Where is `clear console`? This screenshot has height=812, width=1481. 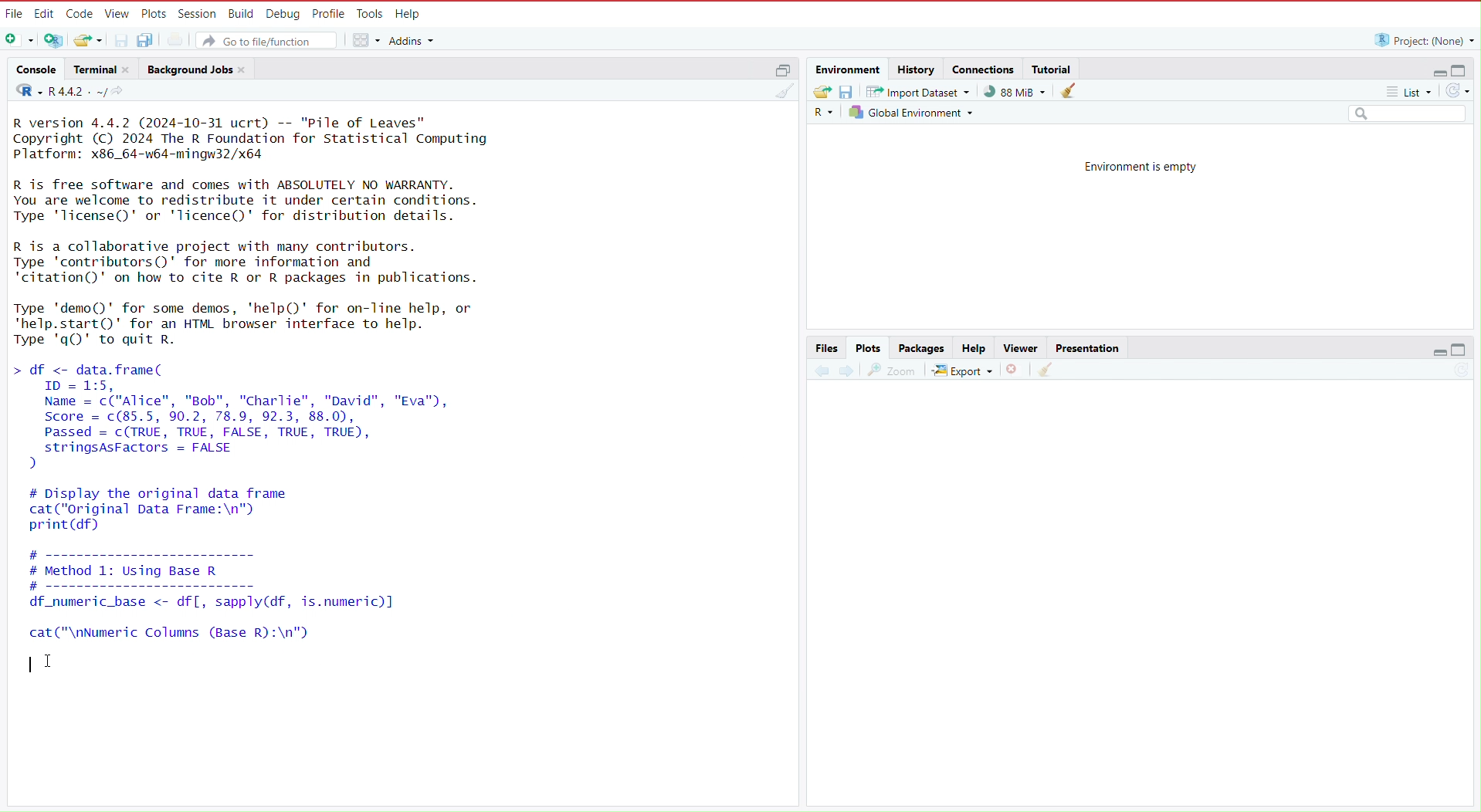 clear console is located at coordinates (781, 90).